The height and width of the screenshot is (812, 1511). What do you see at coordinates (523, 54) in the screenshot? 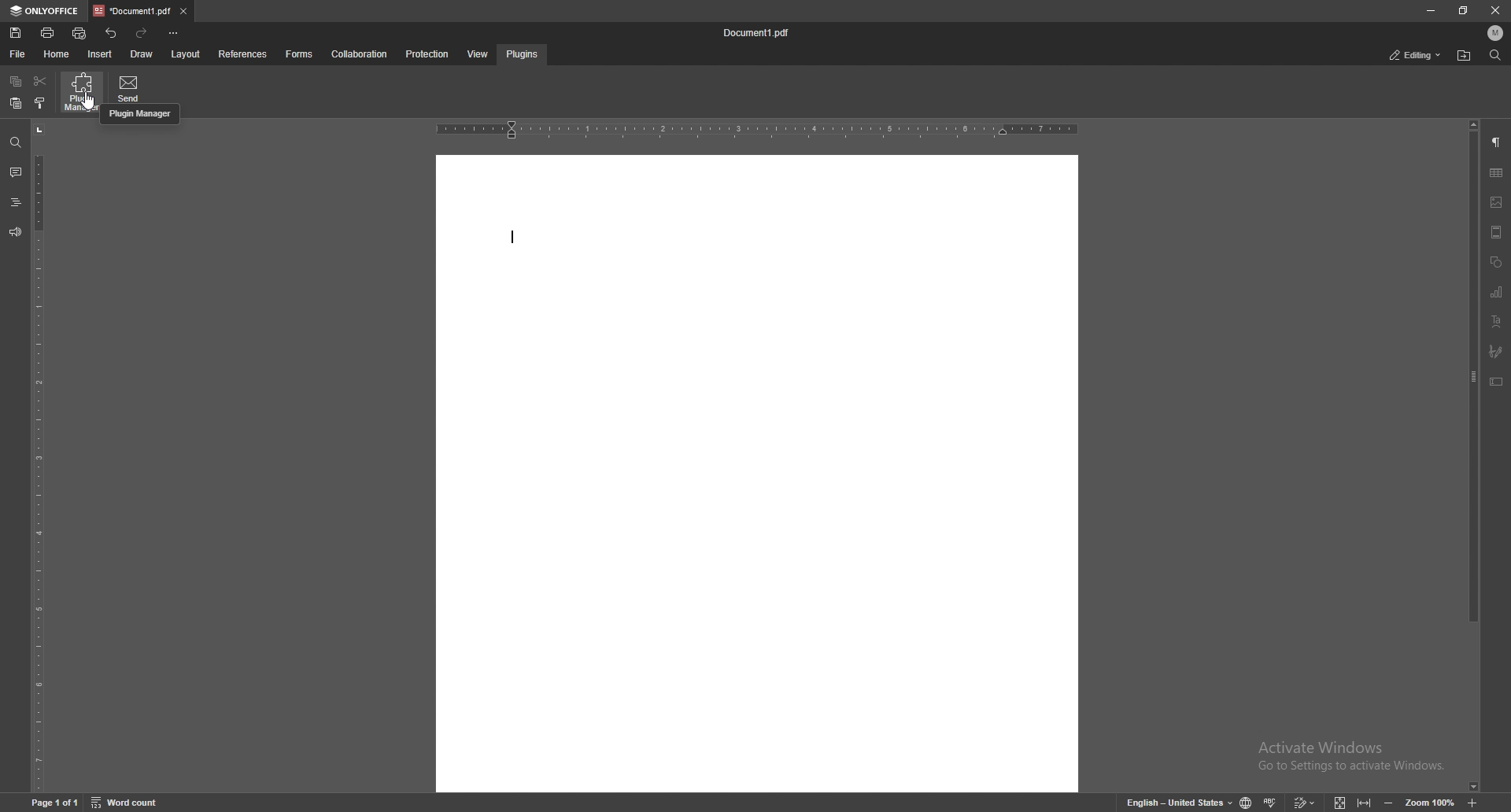
I see `plugins` at bounding box center [523, 54].